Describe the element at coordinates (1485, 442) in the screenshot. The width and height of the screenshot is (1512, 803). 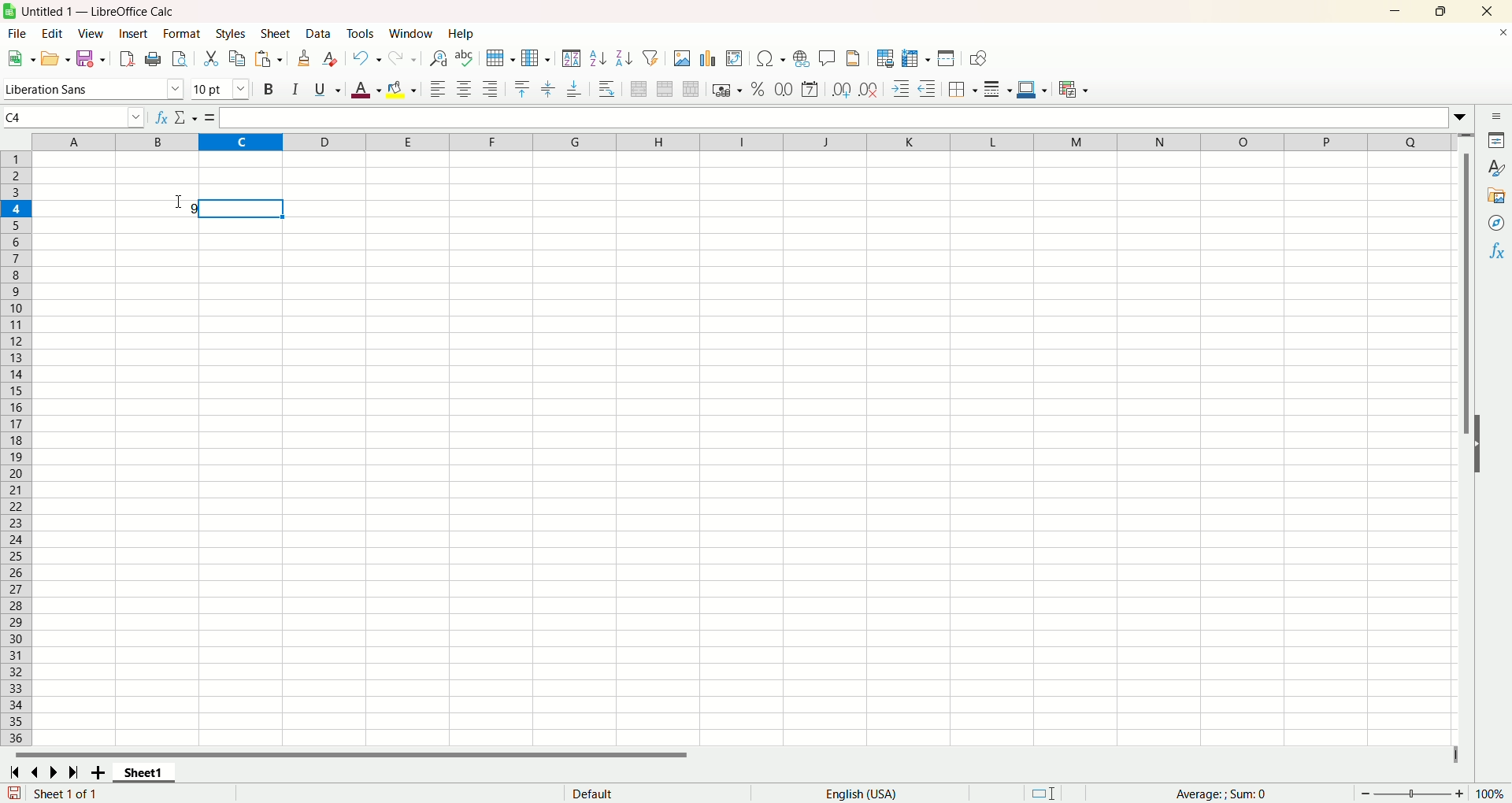
I see `show` at that location.